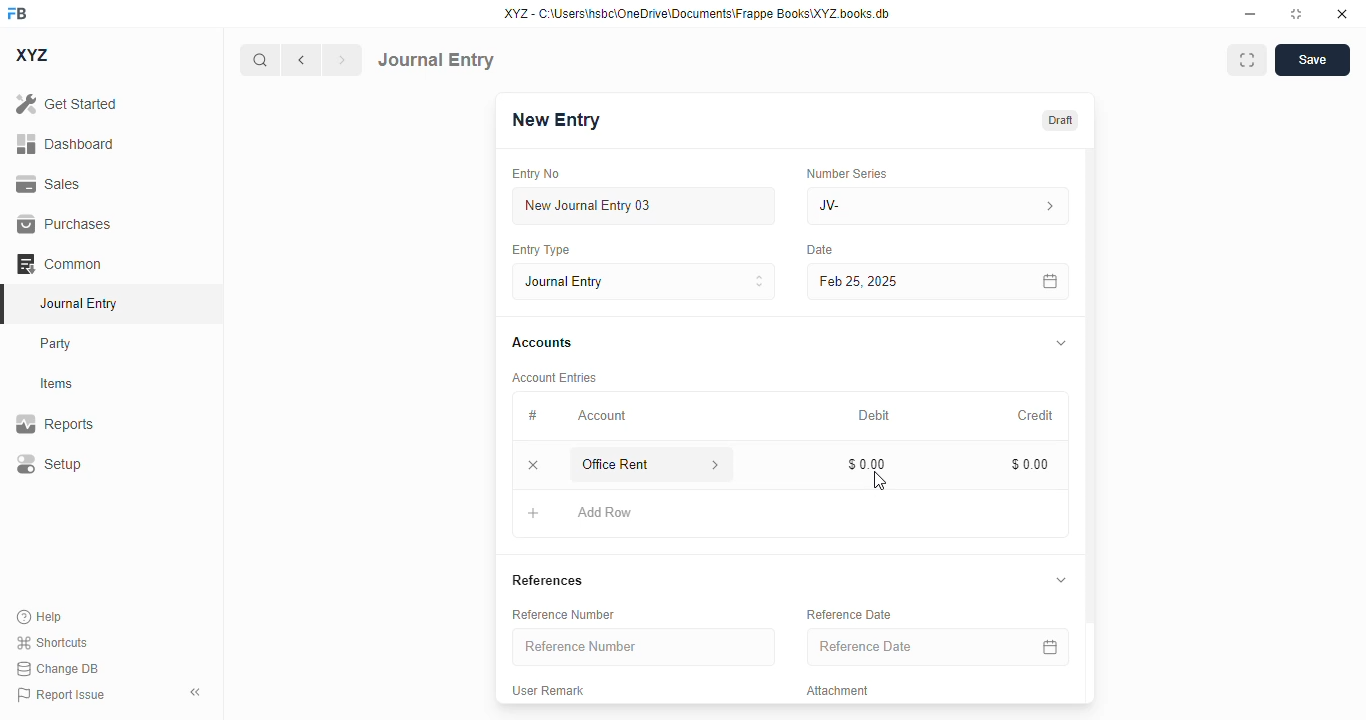  What do you see at coordinates (1031, 464) in the screenshot?
I see `$0.00` at bounding box center [1031, 464].